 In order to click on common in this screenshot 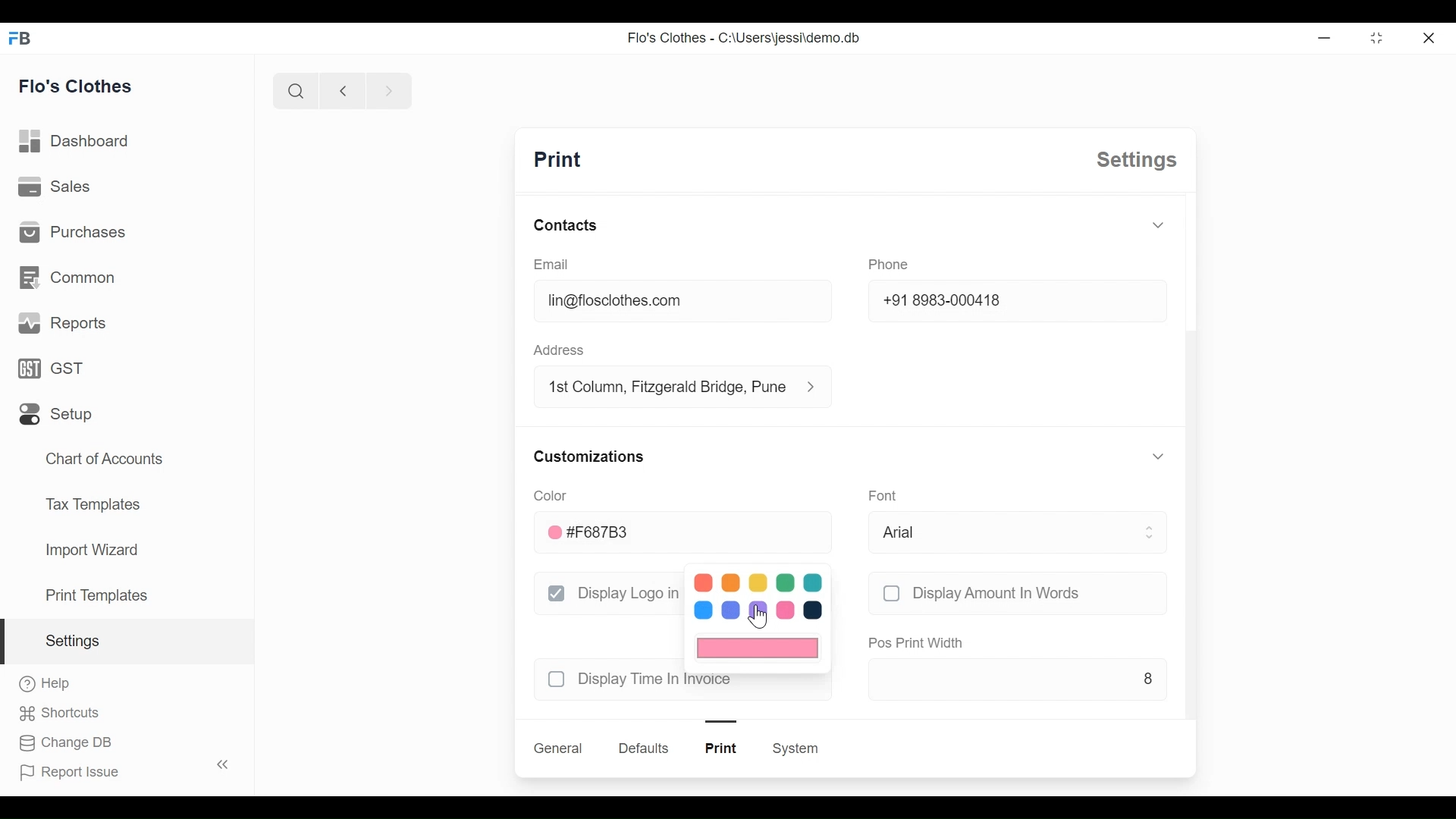, I will do `click(67, 278)`.